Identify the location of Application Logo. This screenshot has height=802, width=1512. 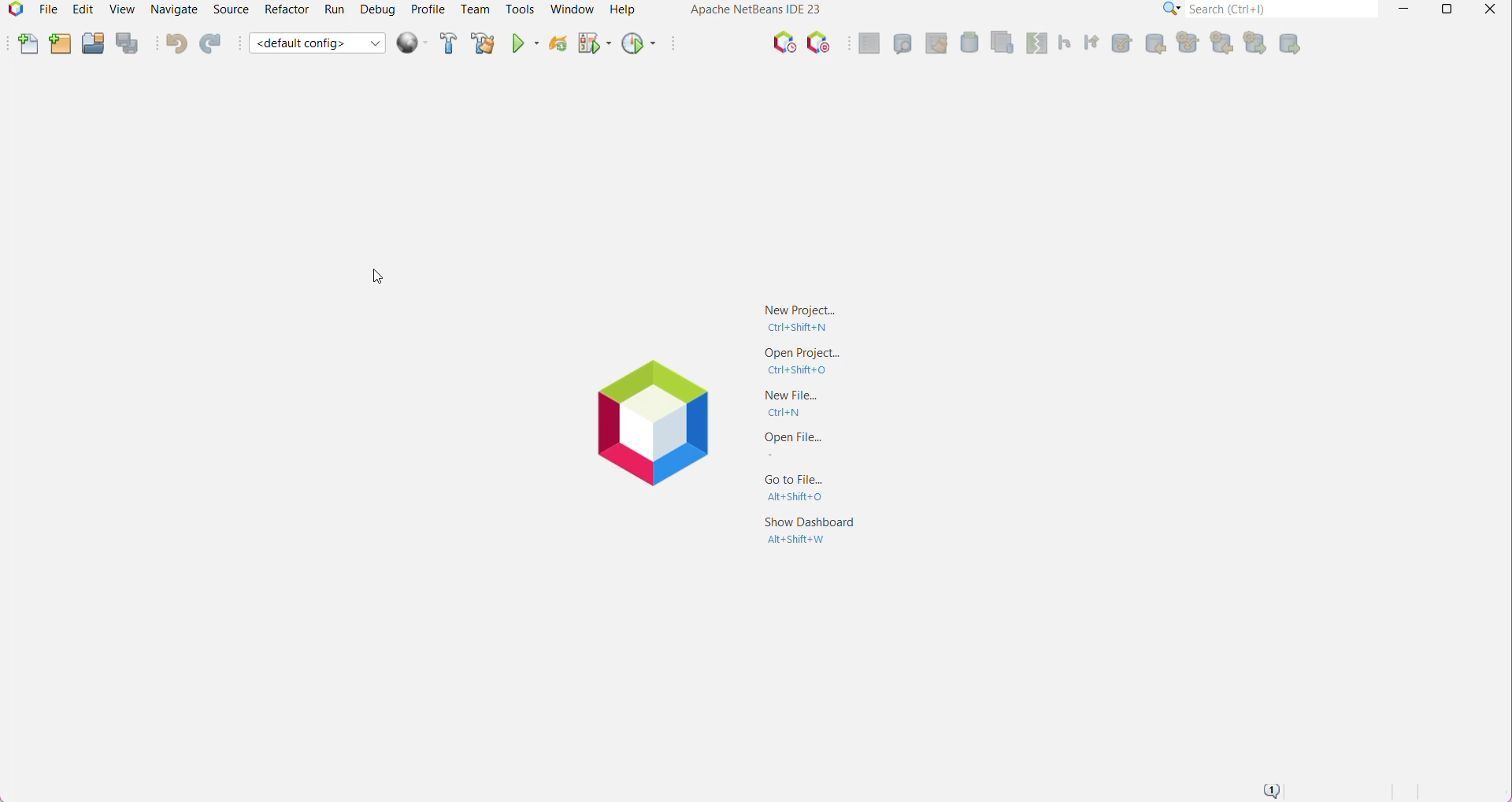
(13, 11).